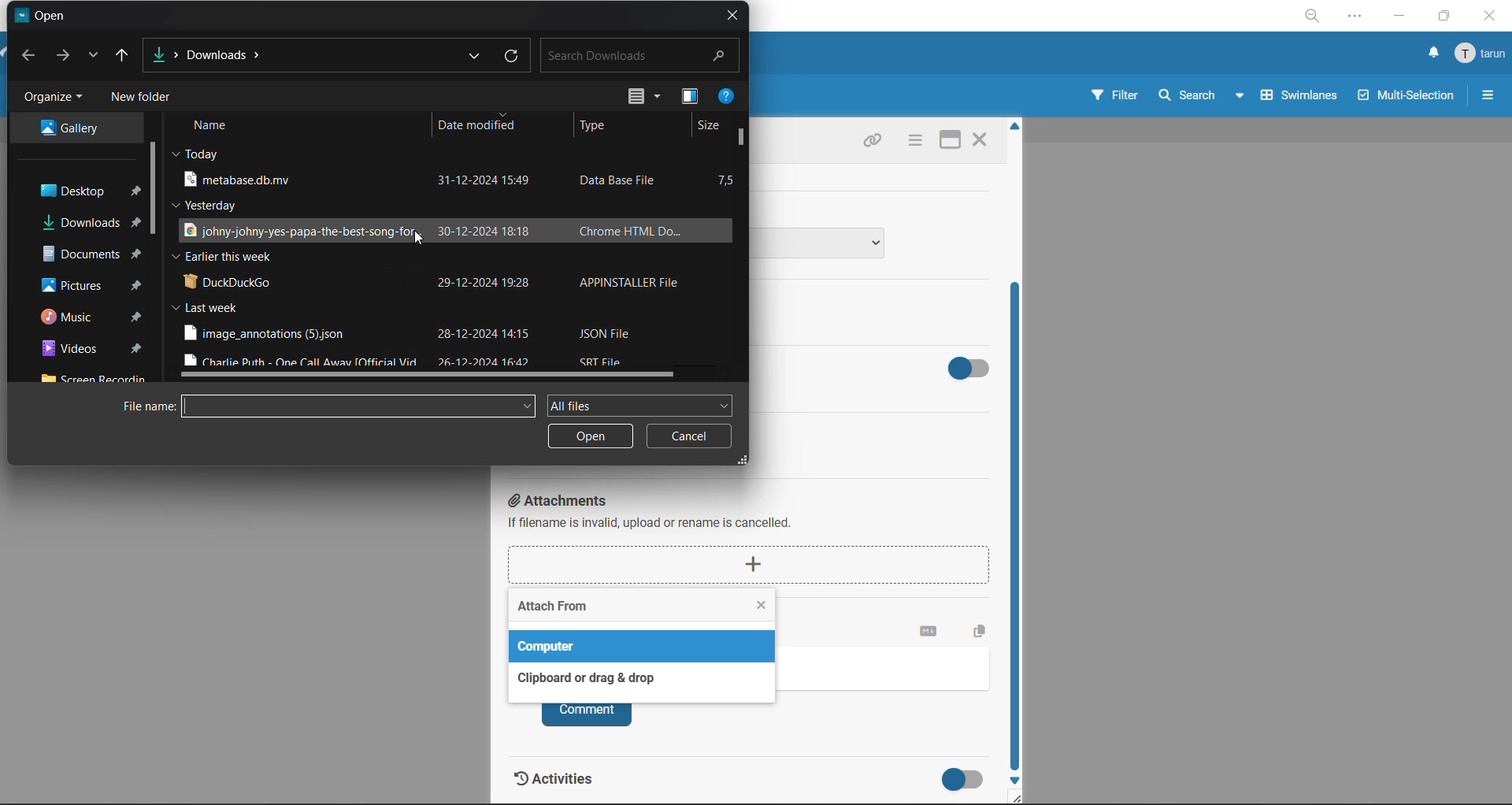  What do you see at coordinates (1018, 529) in the screenshot?
I see `vertical scroll bar` at bounding box center [1018, 529].